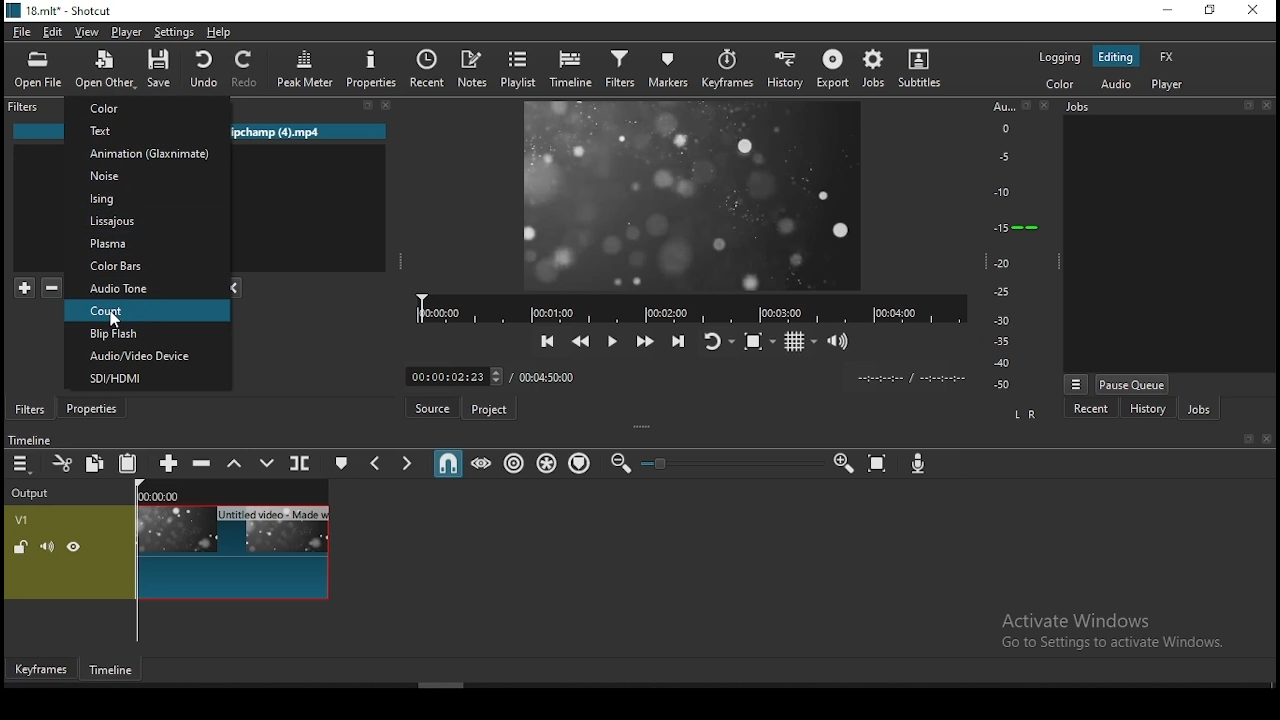 This screenshot has width=1280, height=720. Describe the element at coordinates (1197, 410) in the screenshot. I see `jobs` at that location.